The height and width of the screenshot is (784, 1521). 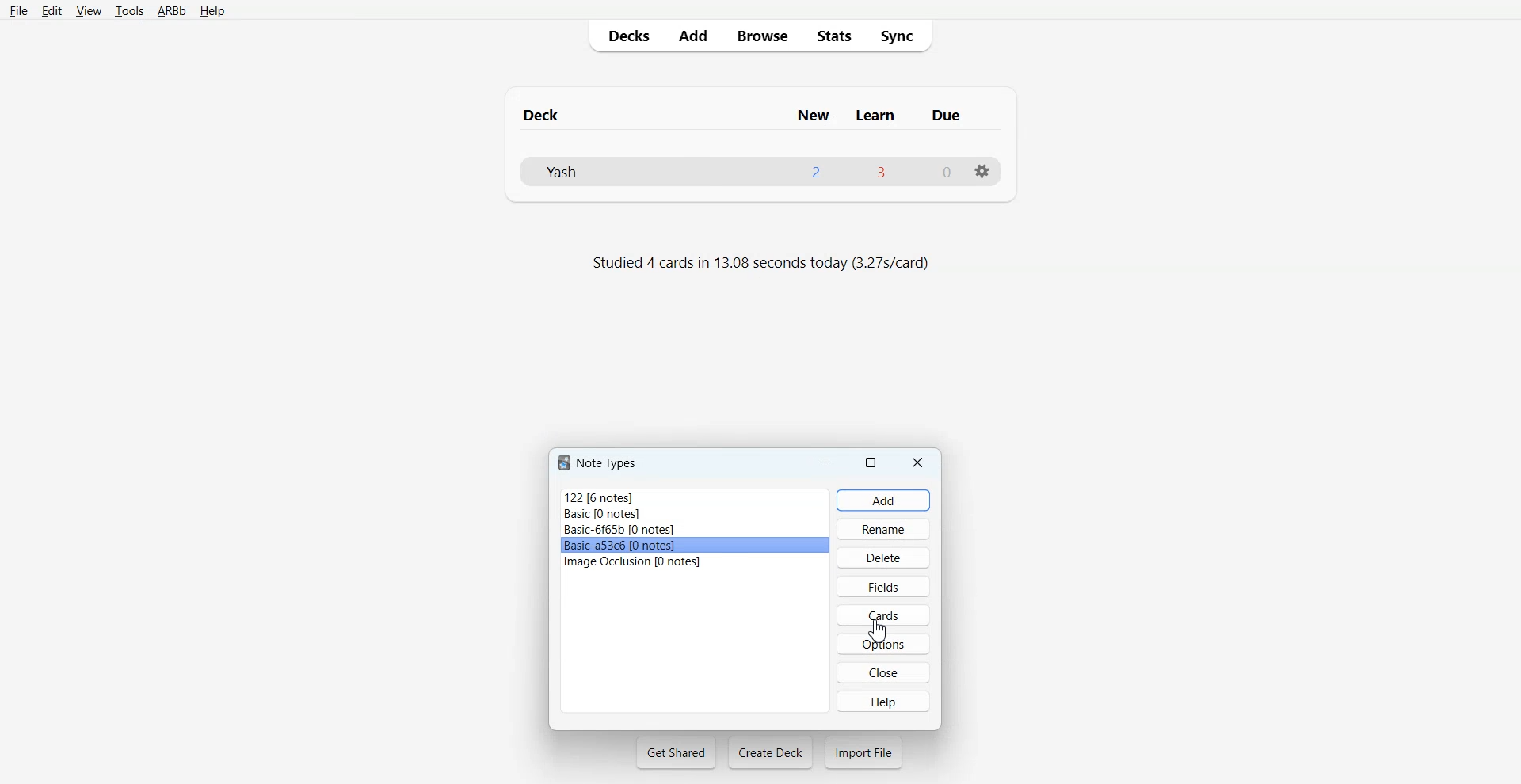 What do you see at coordinates (625, 36) in the screenshot?
I see `Decks` at bounding box center [625, 36].